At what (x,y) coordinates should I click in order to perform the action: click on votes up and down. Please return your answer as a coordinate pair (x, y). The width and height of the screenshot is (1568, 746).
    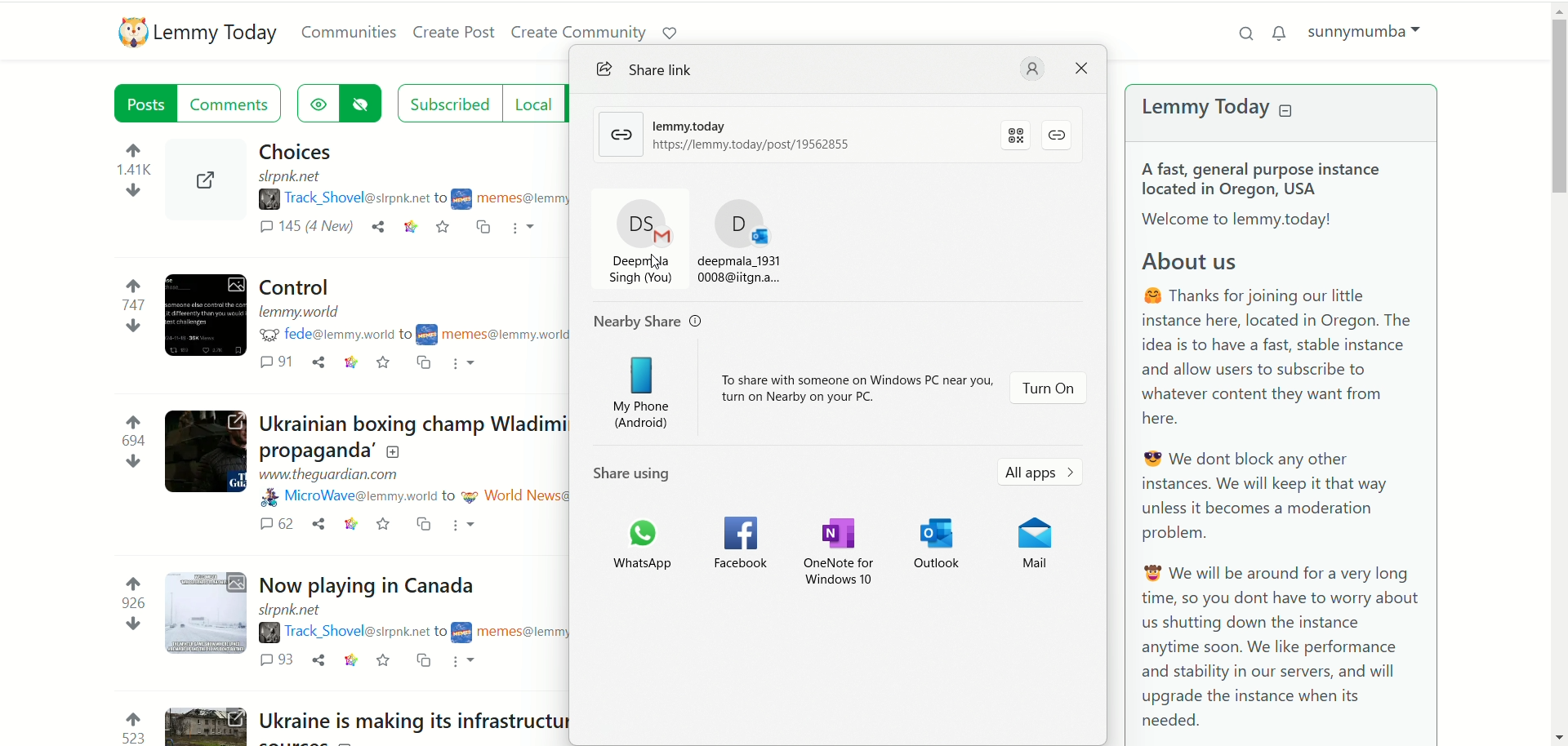
    Looking at the image, I should click on (134, 172).